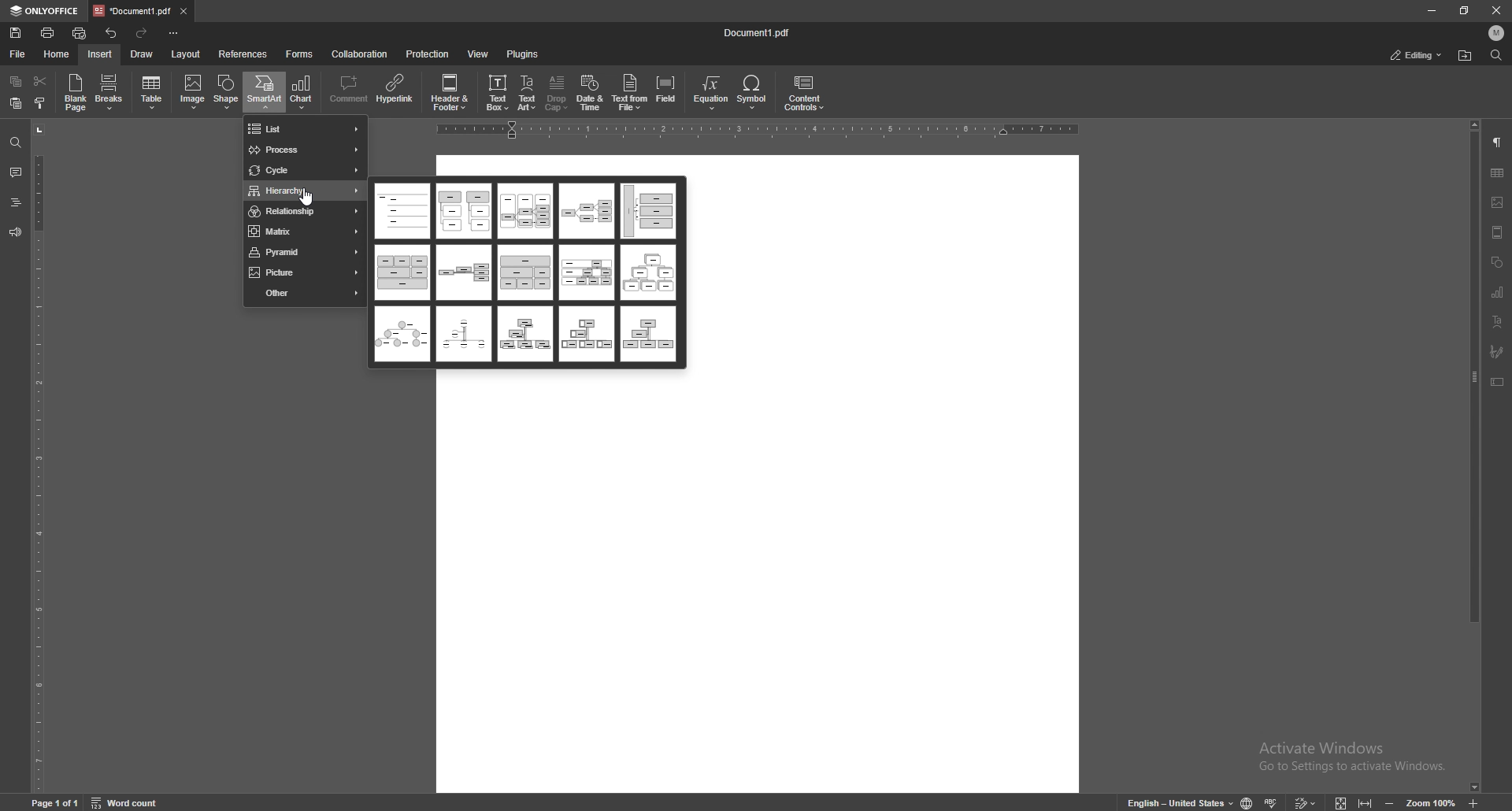 The image size is (1512, 811). What do you see at coordinates (558, 92) in the screenshot?
I see `drop cap` at bounding box center [558, 92].